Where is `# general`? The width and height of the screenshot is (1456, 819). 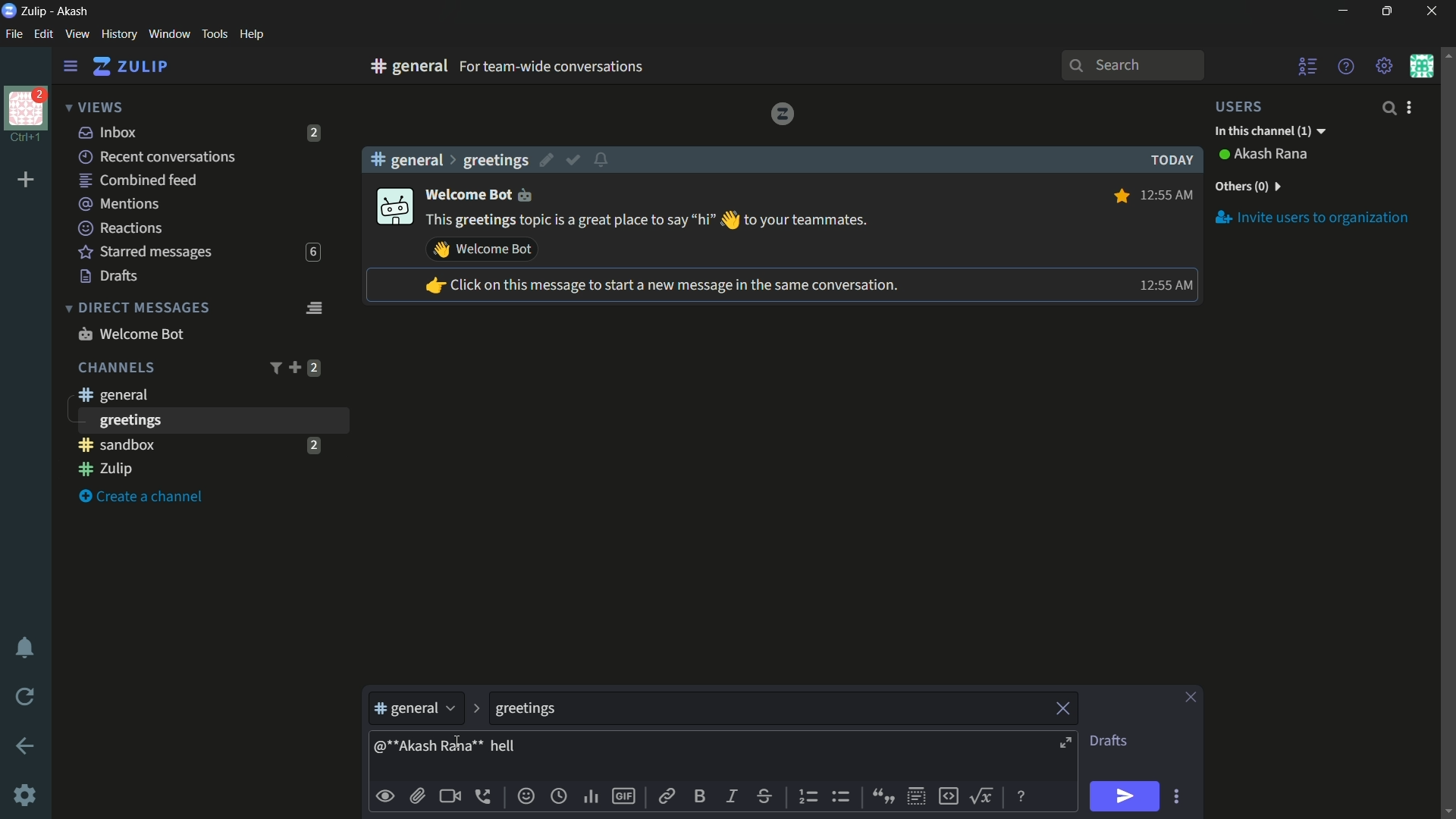 # general is located at coordinates (406, 159).